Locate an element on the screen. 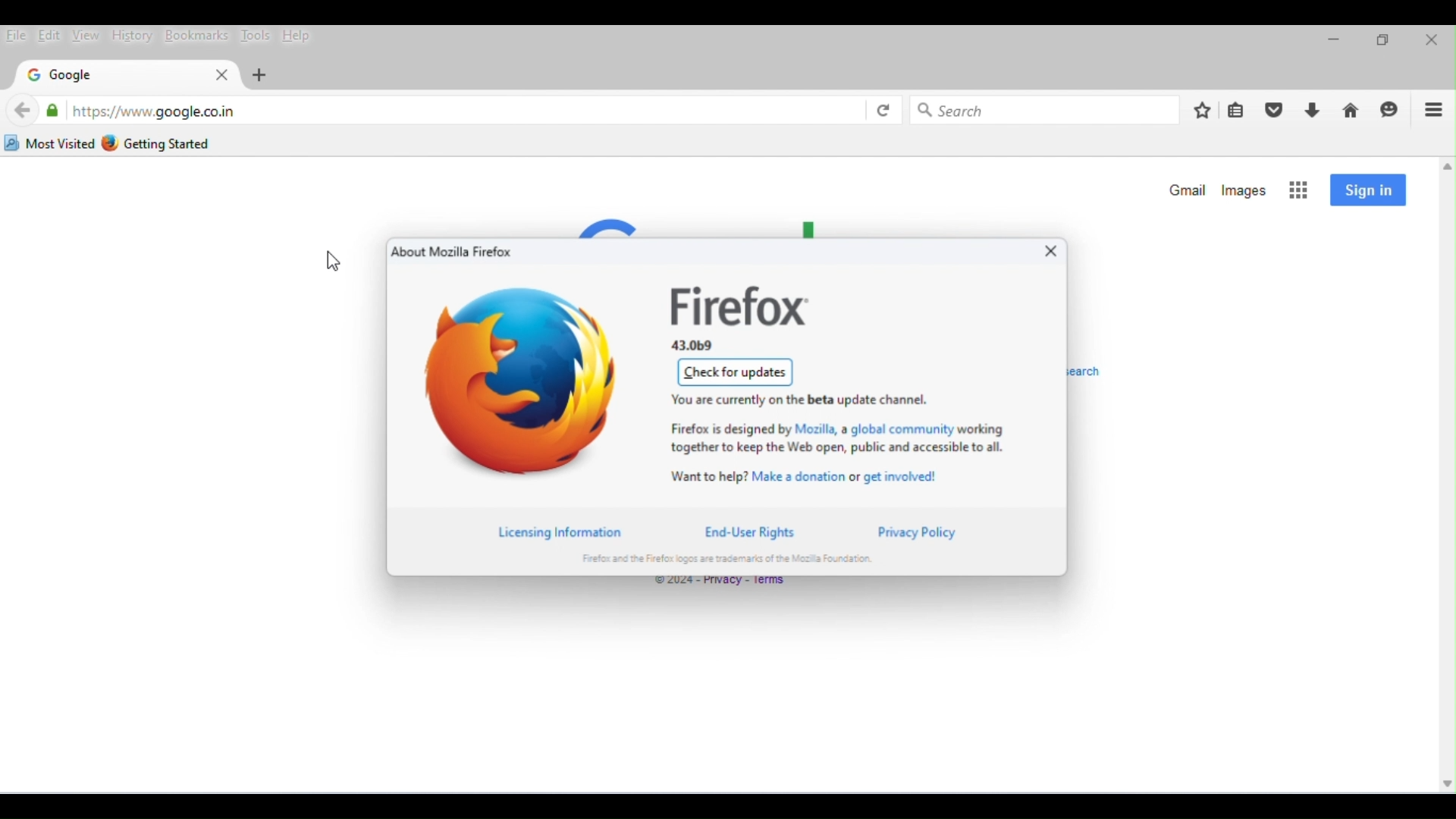 The height and width of the screenshot is (819, 1456). home page is located at coordinates (1351, 111).